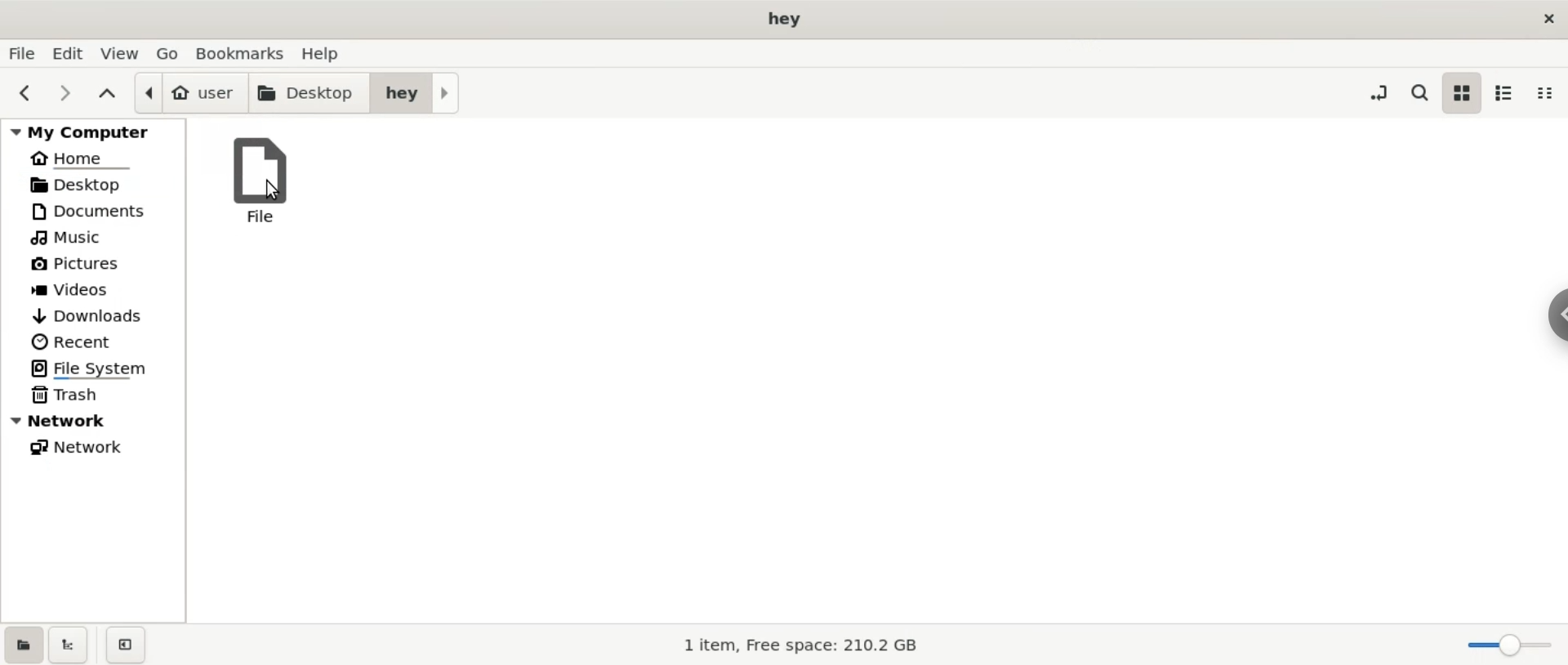  Describe the element at coordinates (782, 21) in the screenshot. I see `hey` at that location.